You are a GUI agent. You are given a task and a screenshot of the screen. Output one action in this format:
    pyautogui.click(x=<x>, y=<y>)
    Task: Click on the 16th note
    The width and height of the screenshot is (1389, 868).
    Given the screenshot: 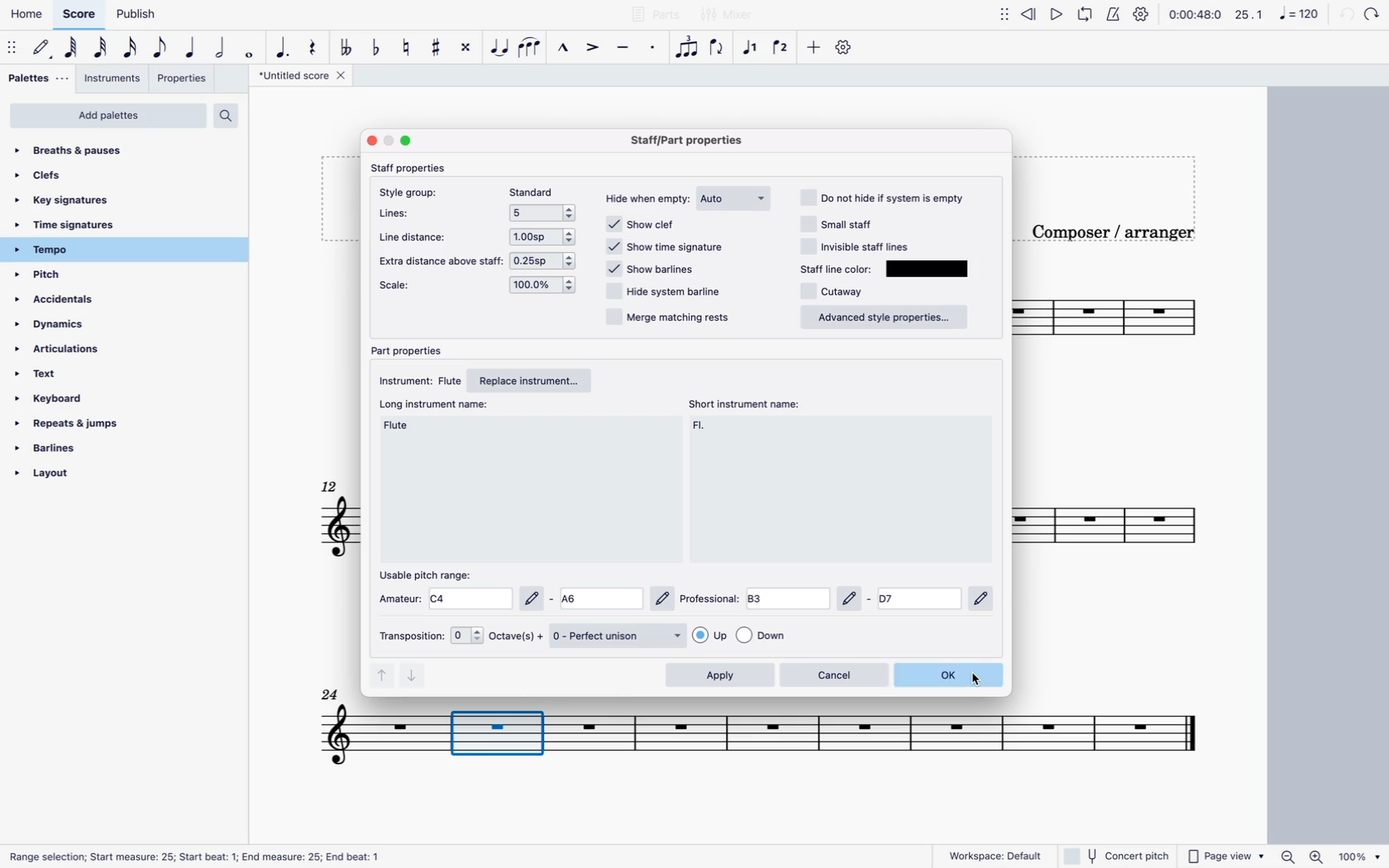 What is the action you would take?
    pyautogui.click(x=131, y=48)
    